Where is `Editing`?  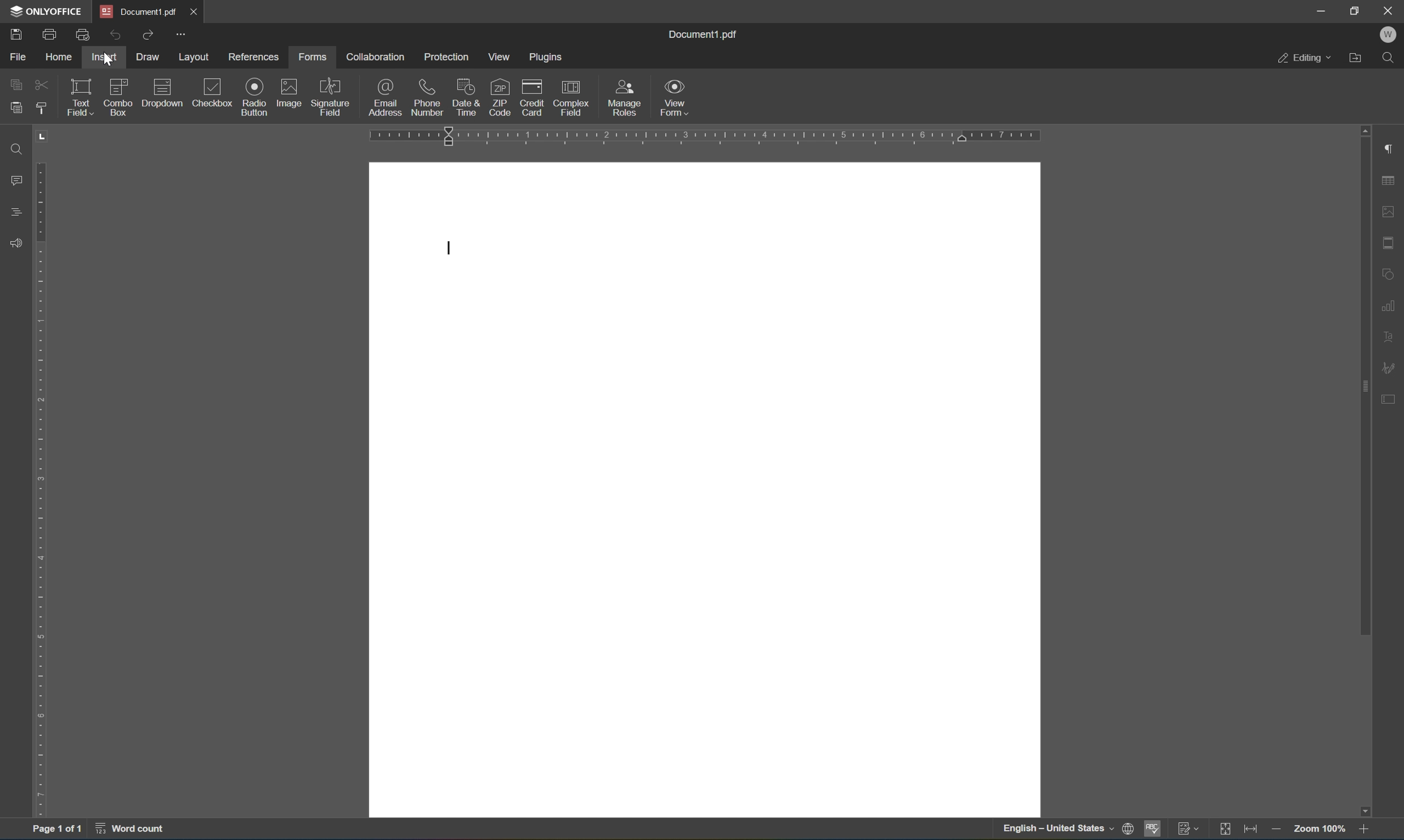 Editing is located at coordinates (1304, 59).